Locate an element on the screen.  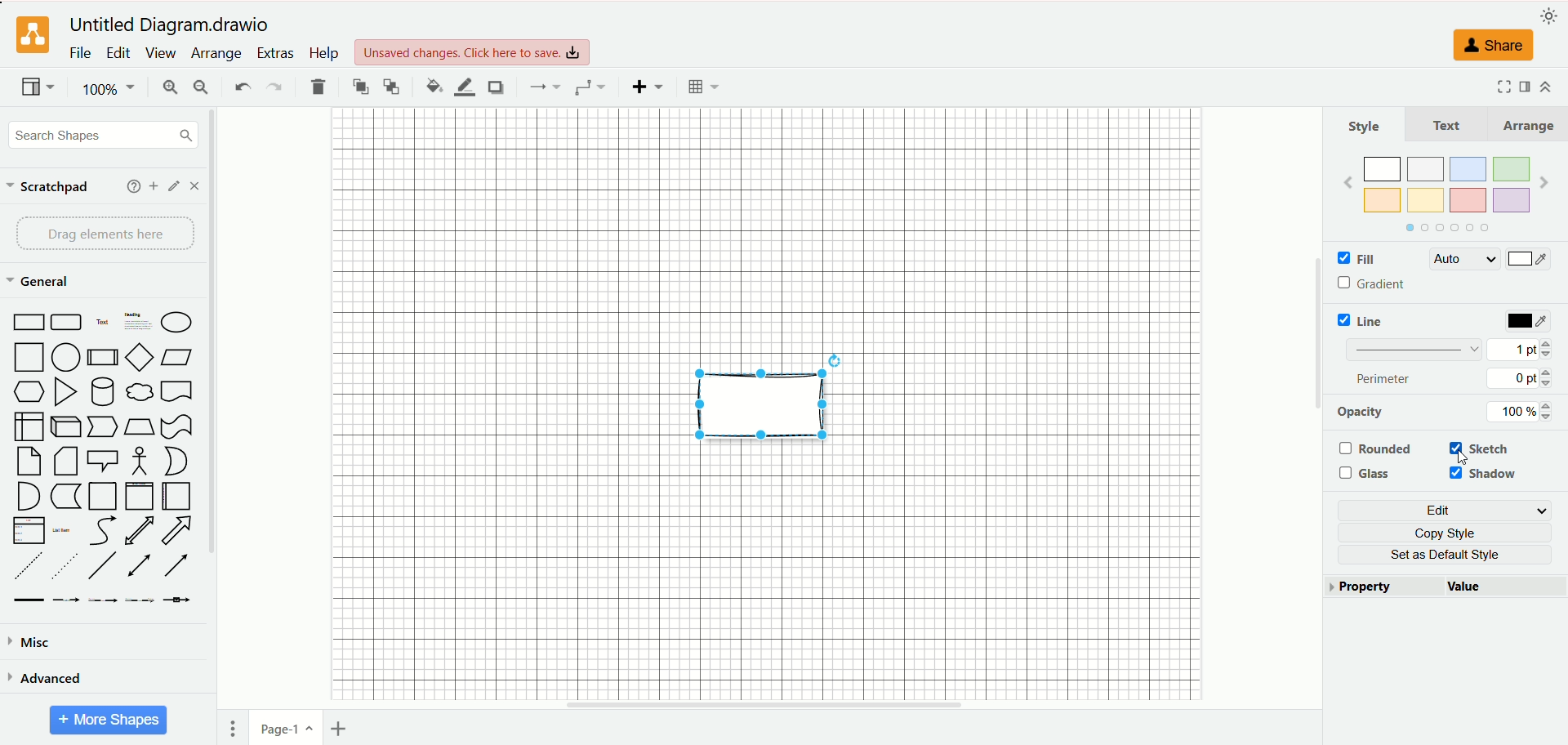
waypoint is located at coordinates (590, 87).